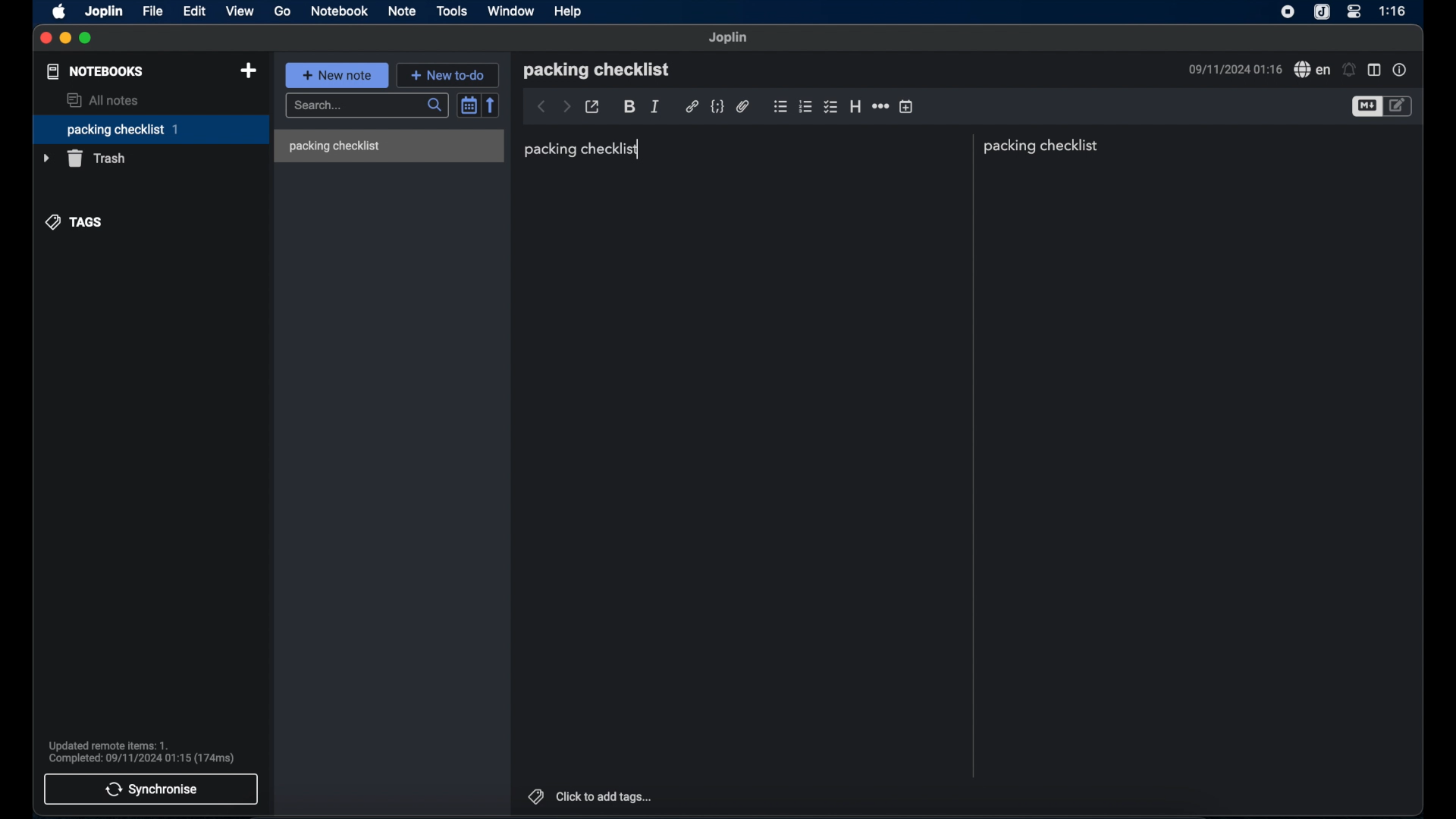 Image resolution: width=1456 pixels, height=819 pixels. I want to click on control center, so click(1355, 11).